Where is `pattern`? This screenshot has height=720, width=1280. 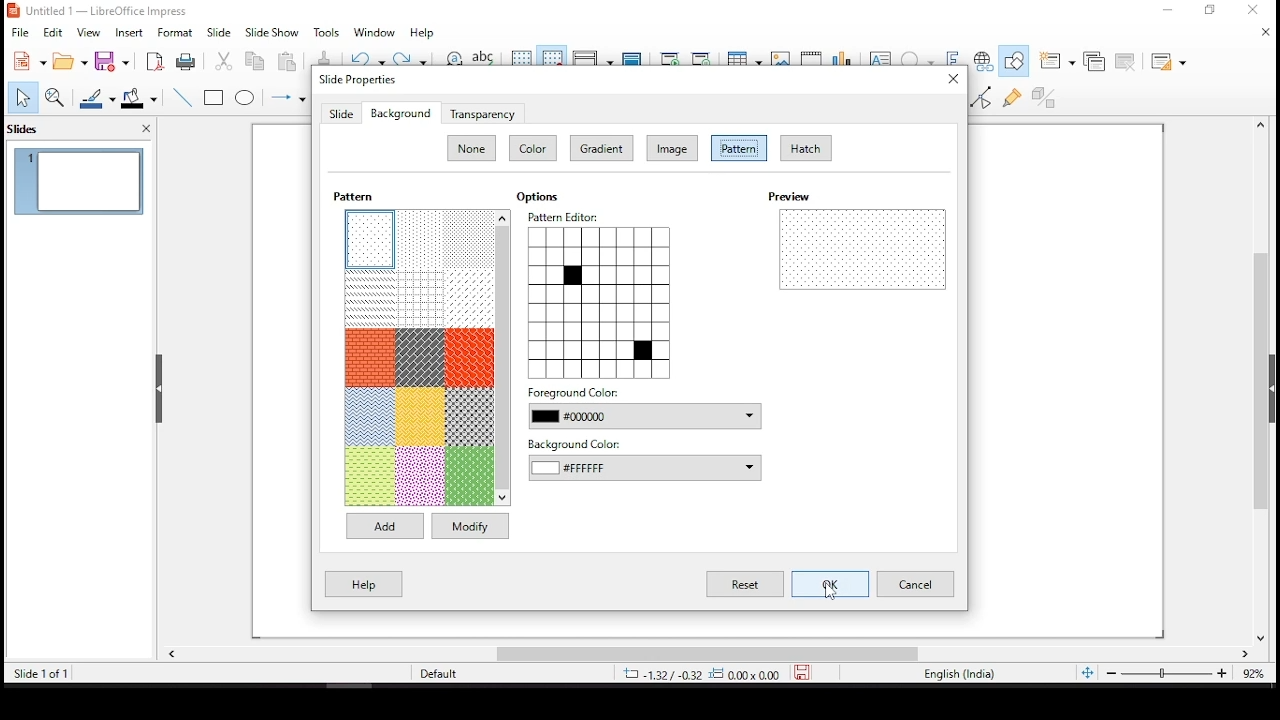 pattern is located at coordinates (468, 238).